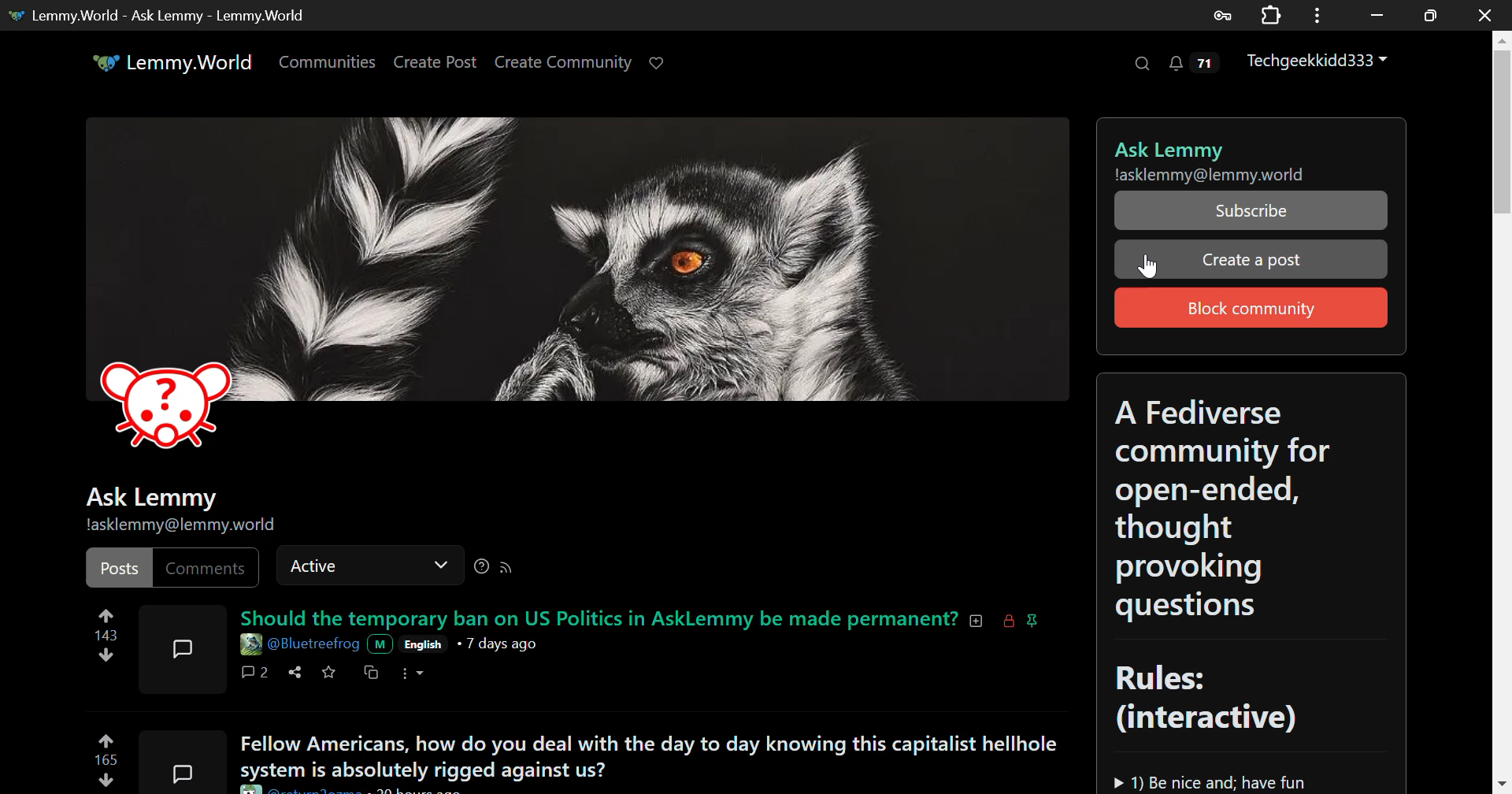 Image resolution: width=1512 pixels, height=794 pixels. What do you see at coordinates (180, 762) in the screenshot?
I see `Post Icon` at bounding box center [180, 762].